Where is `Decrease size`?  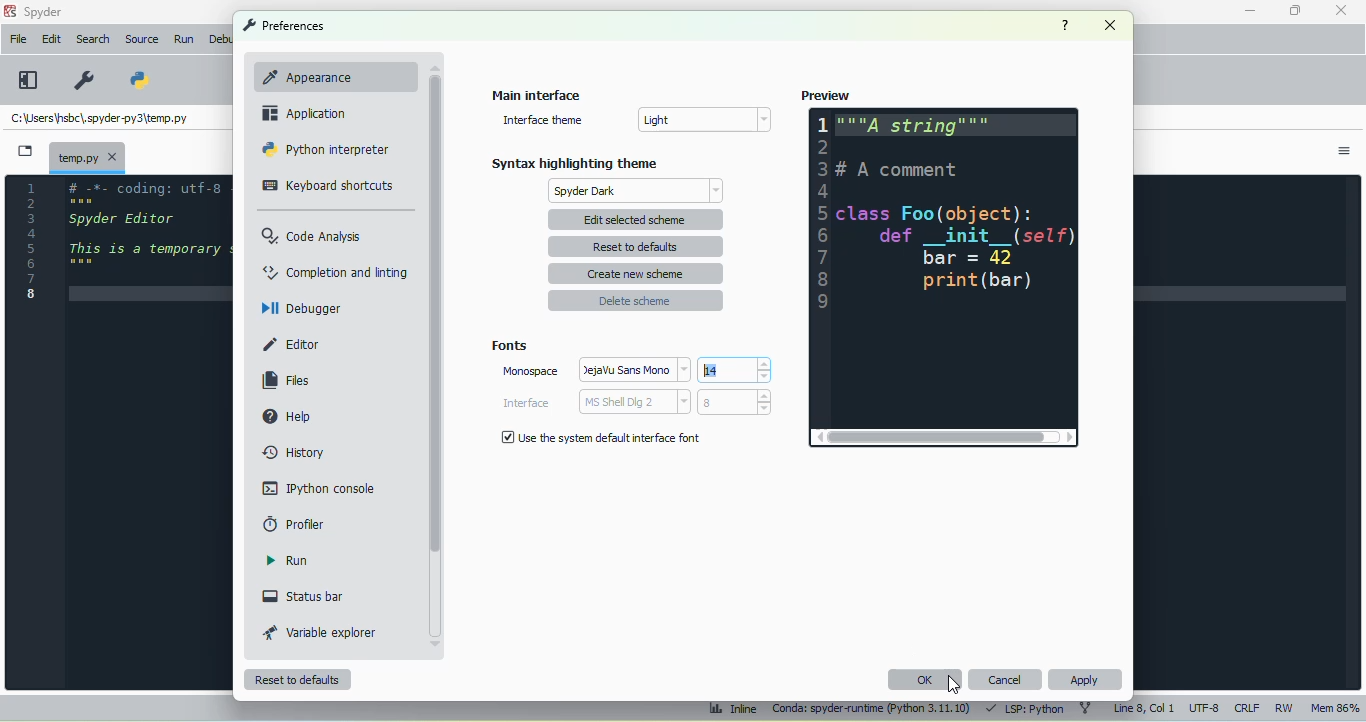
Decrease size is located at coordinates (767, 377).